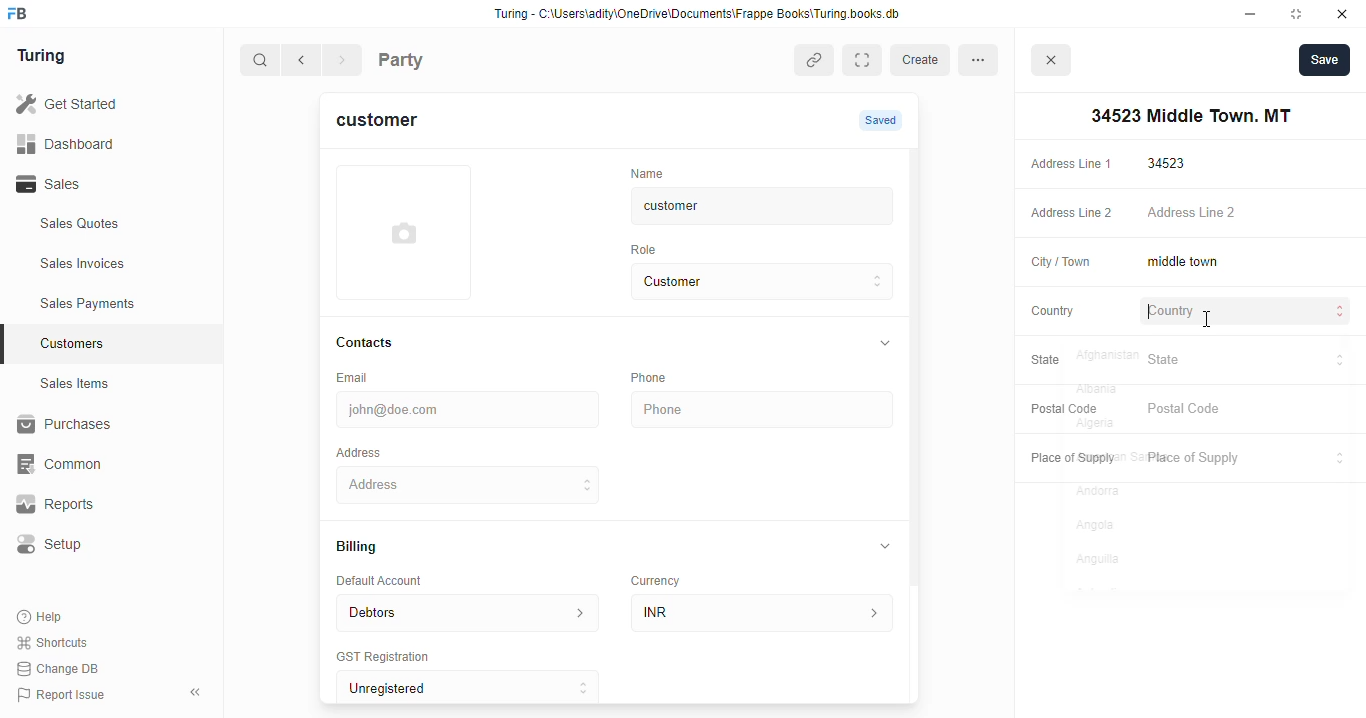  What do you see at coordinates (366, 548) in the screenshot?
I see `Billing` at bounding box center [366, 548].